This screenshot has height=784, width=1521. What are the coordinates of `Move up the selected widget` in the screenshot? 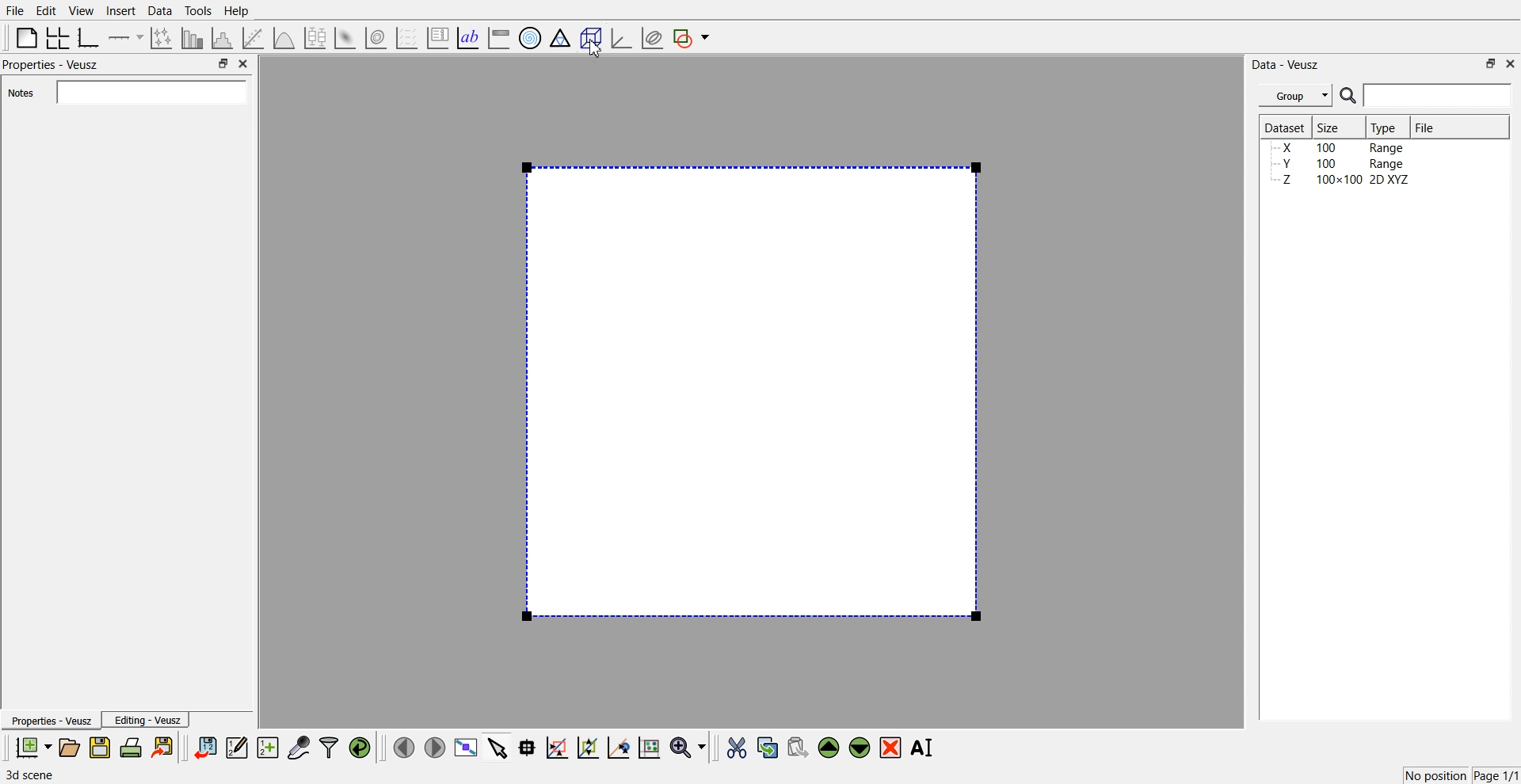 It's located at (829, 748).